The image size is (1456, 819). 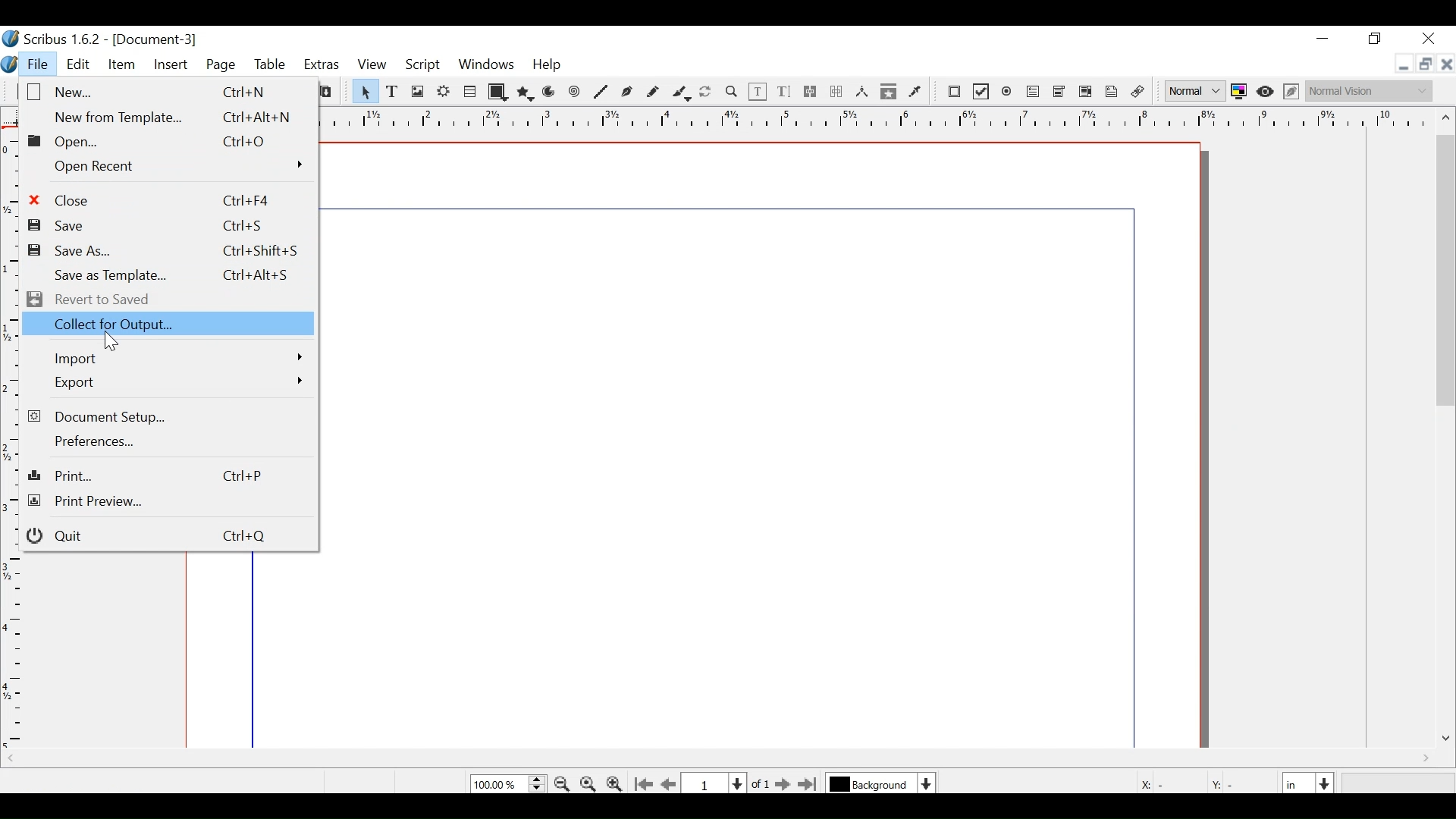 I want to click on Shape , so click(x=497, y=92).